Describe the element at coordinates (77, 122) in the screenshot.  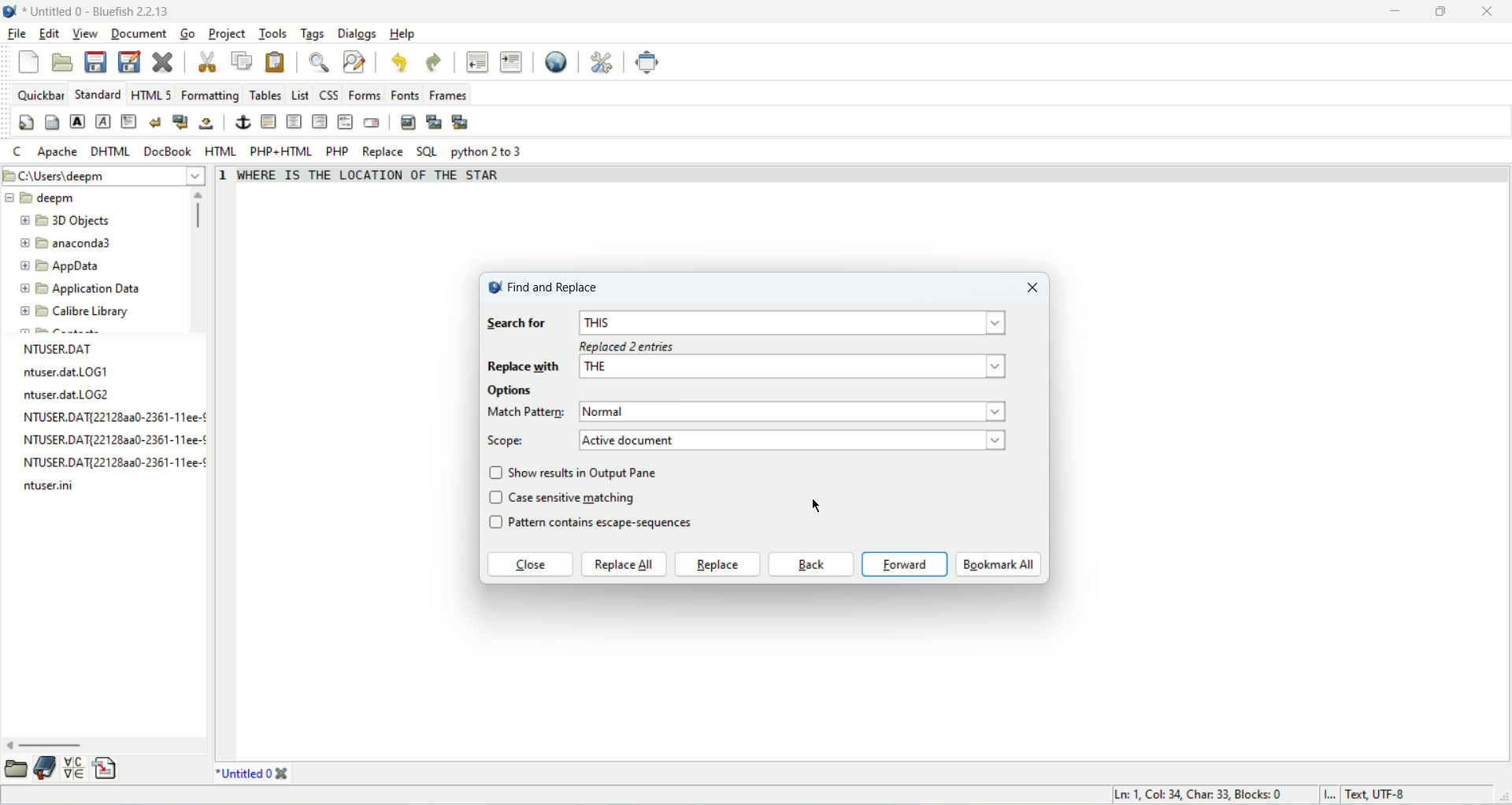
I see `strong` at that location.